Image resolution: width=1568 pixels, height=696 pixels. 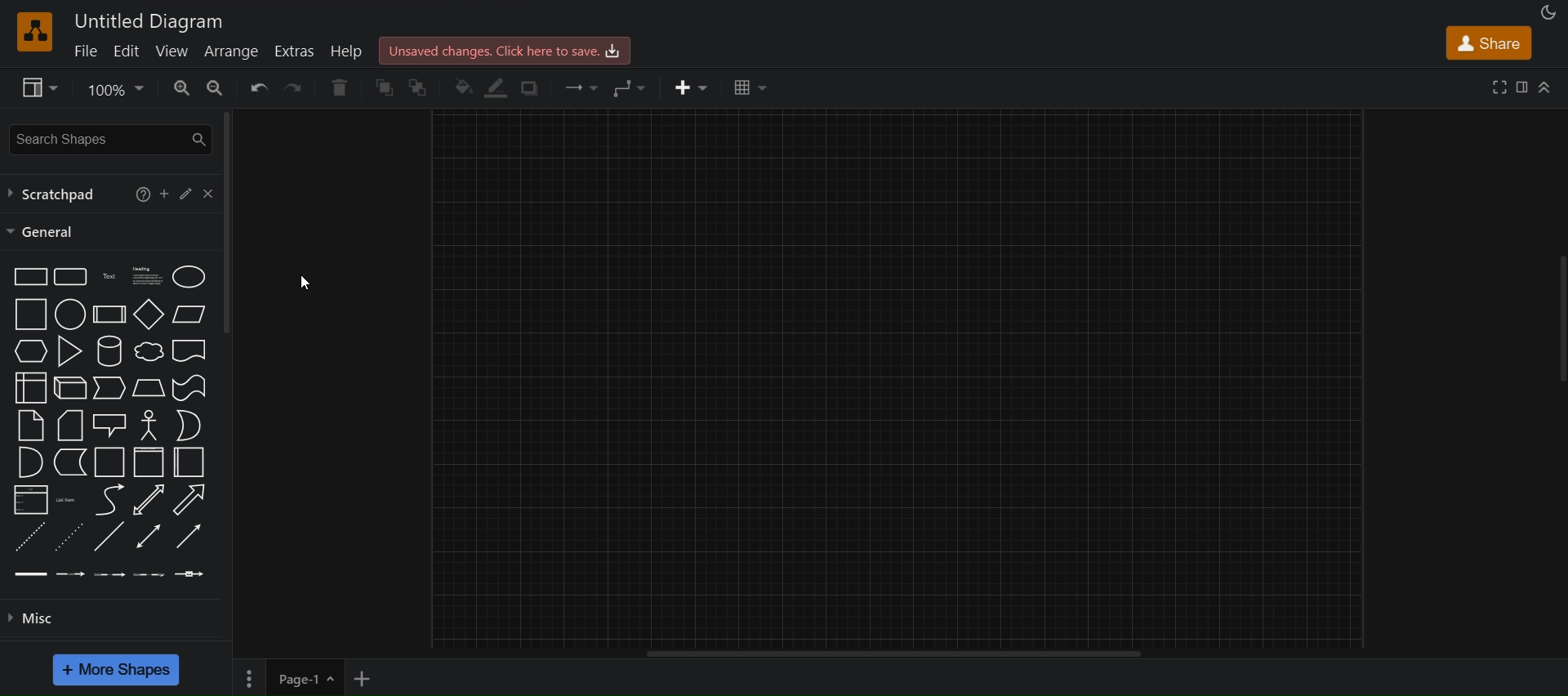 I want to click on zoom out, so click(x=216, y=88).